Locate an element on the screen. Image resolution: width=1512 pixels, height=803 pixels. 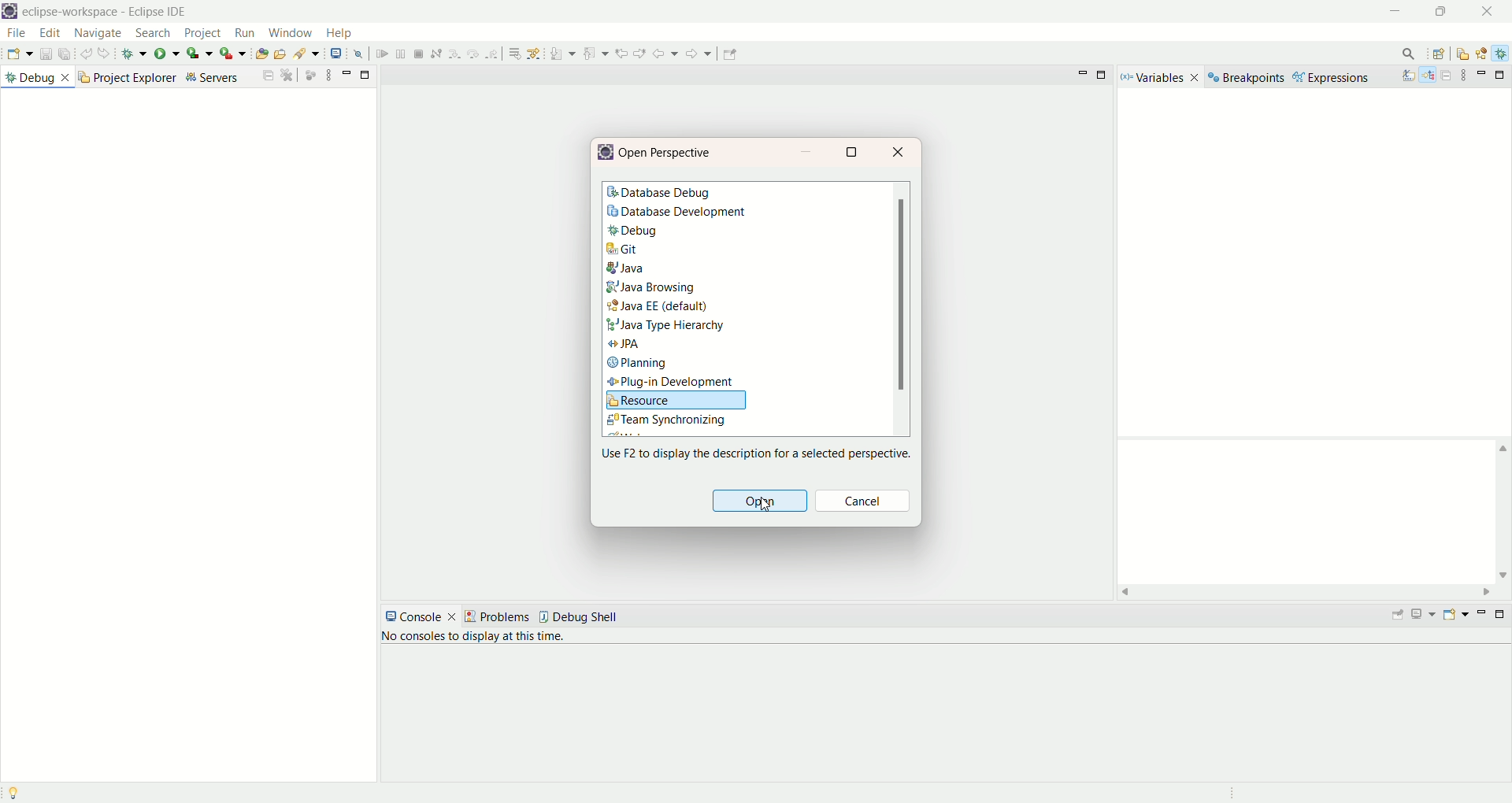
previous annotation is located at coordinates (706, 54).